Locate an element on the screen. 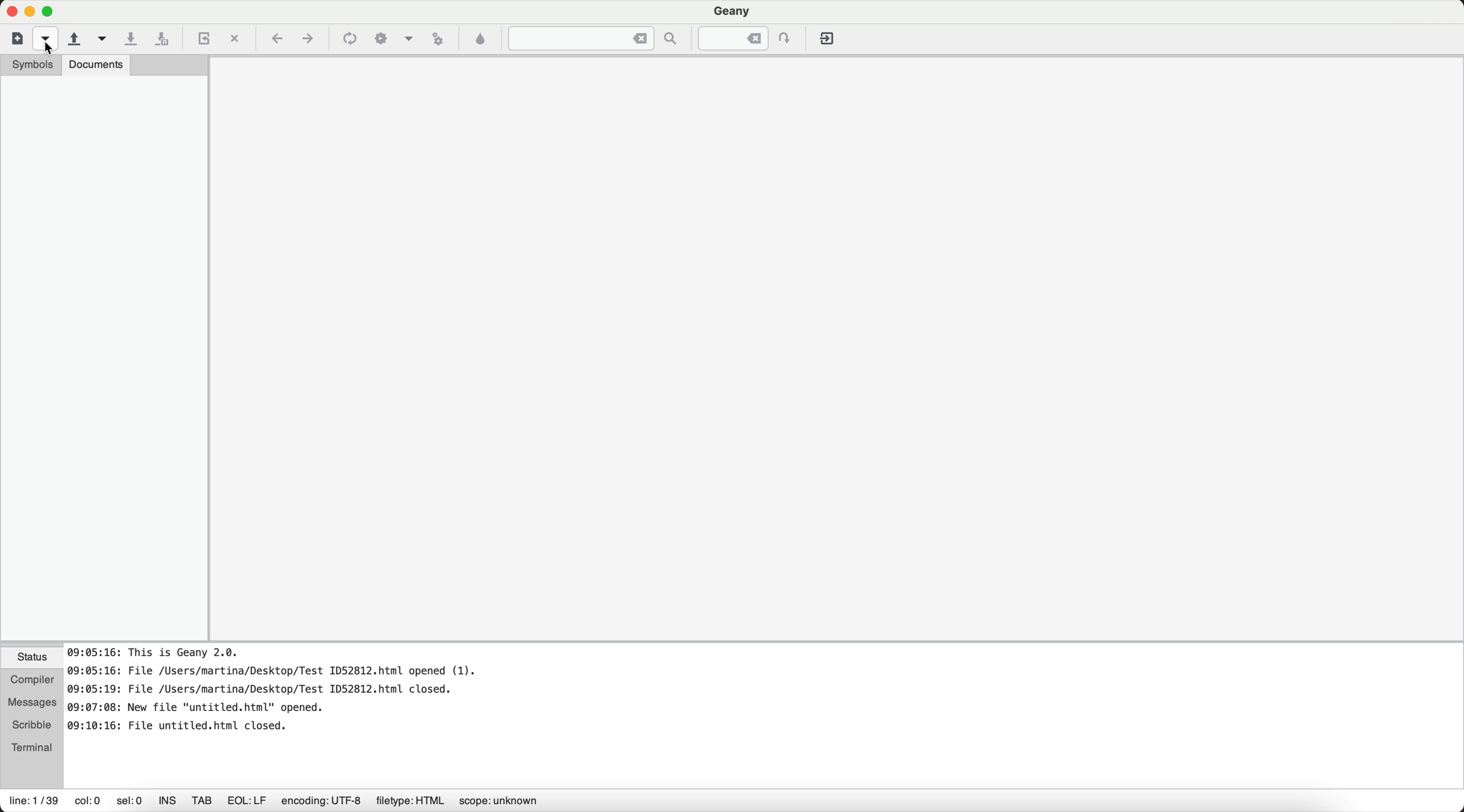 The width and height of the screenshot is (1464, 812). document information is located at coordinates (762, 715).